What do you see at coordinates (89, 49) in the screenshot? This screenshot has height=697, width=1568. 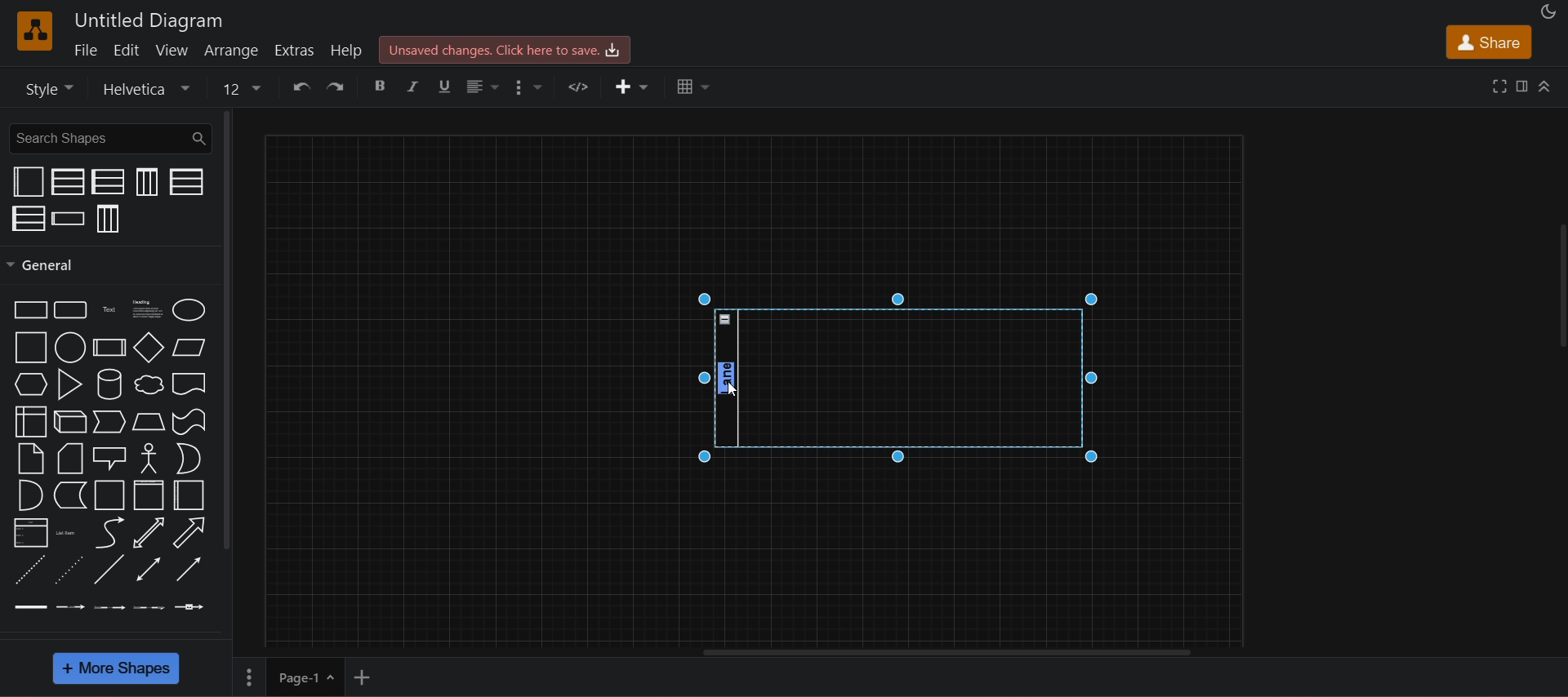 I see `file` at bounding box center [89, 49].